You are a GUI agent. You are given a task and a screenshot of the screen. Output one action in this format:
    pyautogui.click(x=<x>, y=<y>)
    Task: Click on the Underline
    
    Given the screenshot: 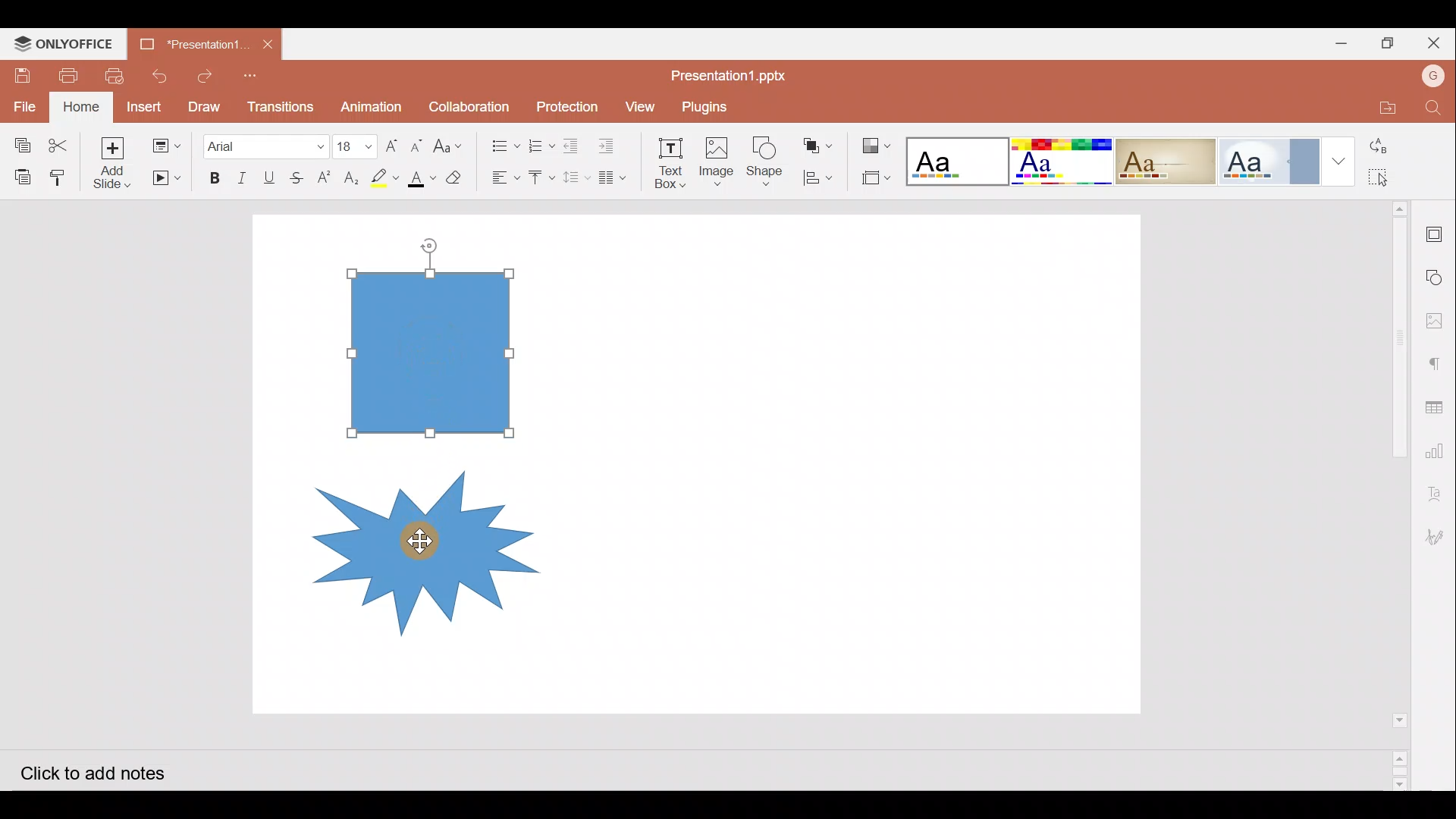 What is the action you would take?
    pyautogui.click(x=272, y=175)
    